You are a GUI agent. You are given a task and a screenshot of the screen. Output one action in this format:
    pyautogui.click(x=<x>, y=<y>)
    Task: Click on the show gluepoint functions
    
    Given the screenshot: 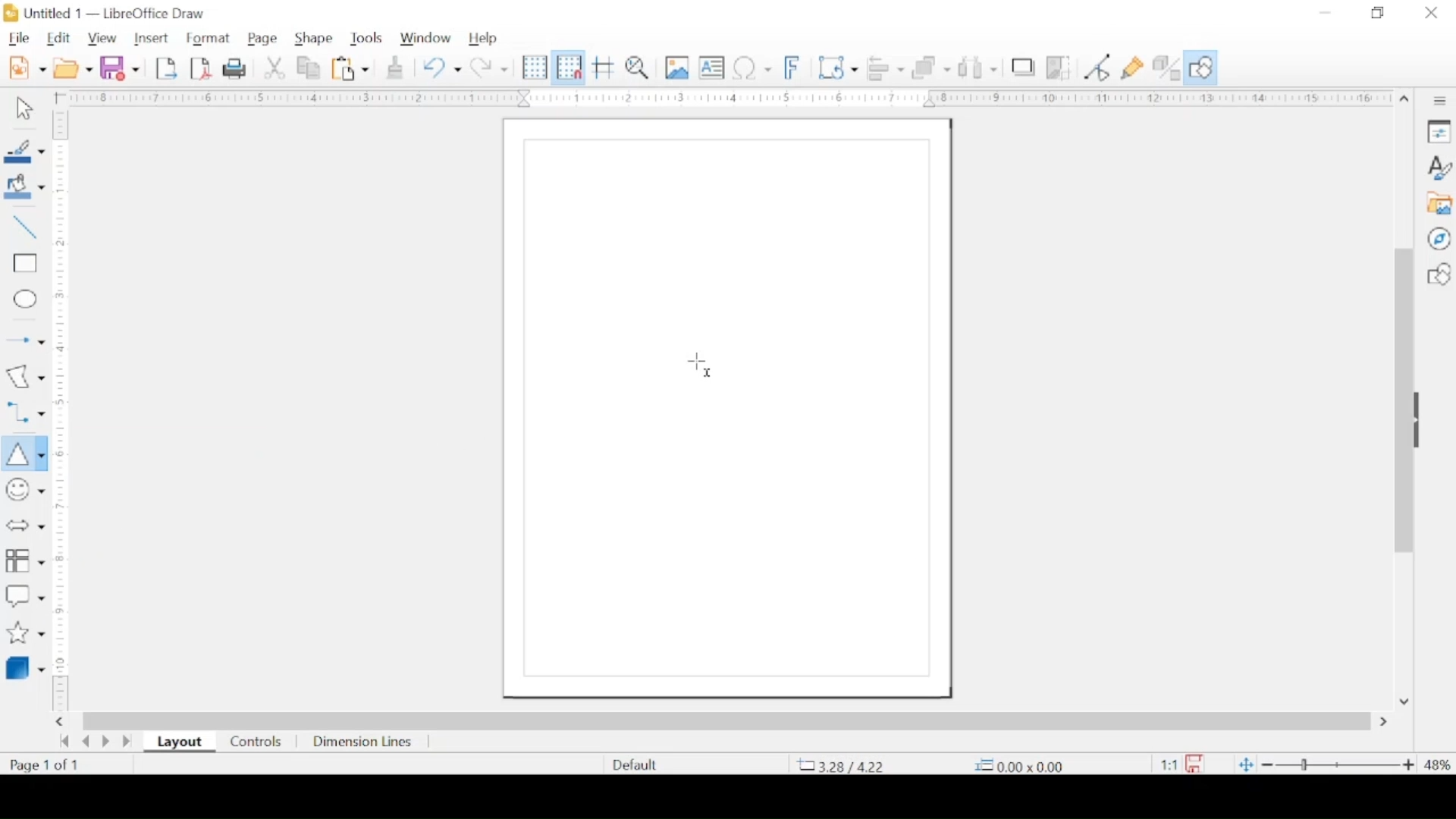 What is the action you would take?
    pyautogui.click(x=1132, y=68)
    